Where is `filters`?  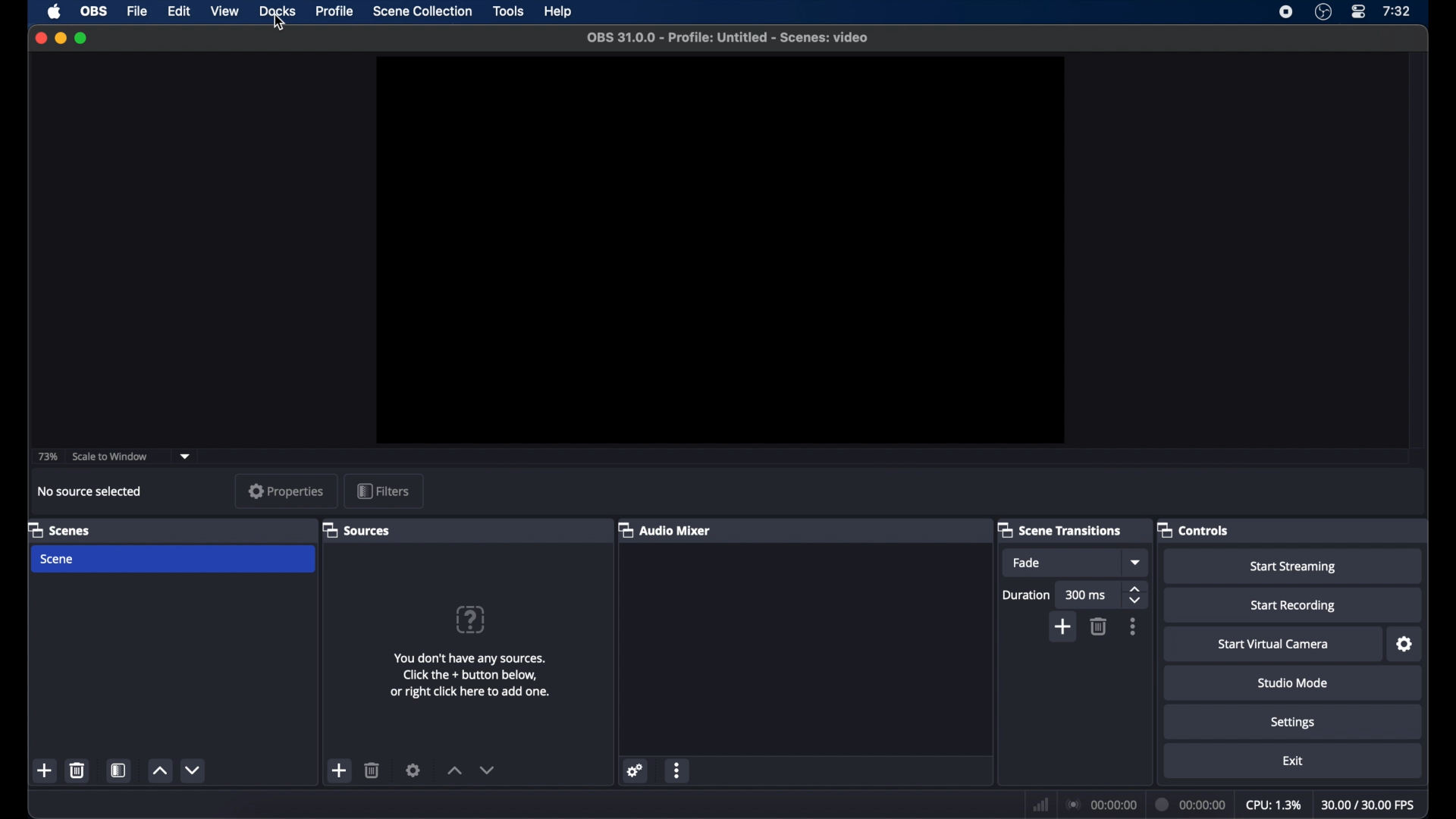
filters is located at coordinates (383, 491).